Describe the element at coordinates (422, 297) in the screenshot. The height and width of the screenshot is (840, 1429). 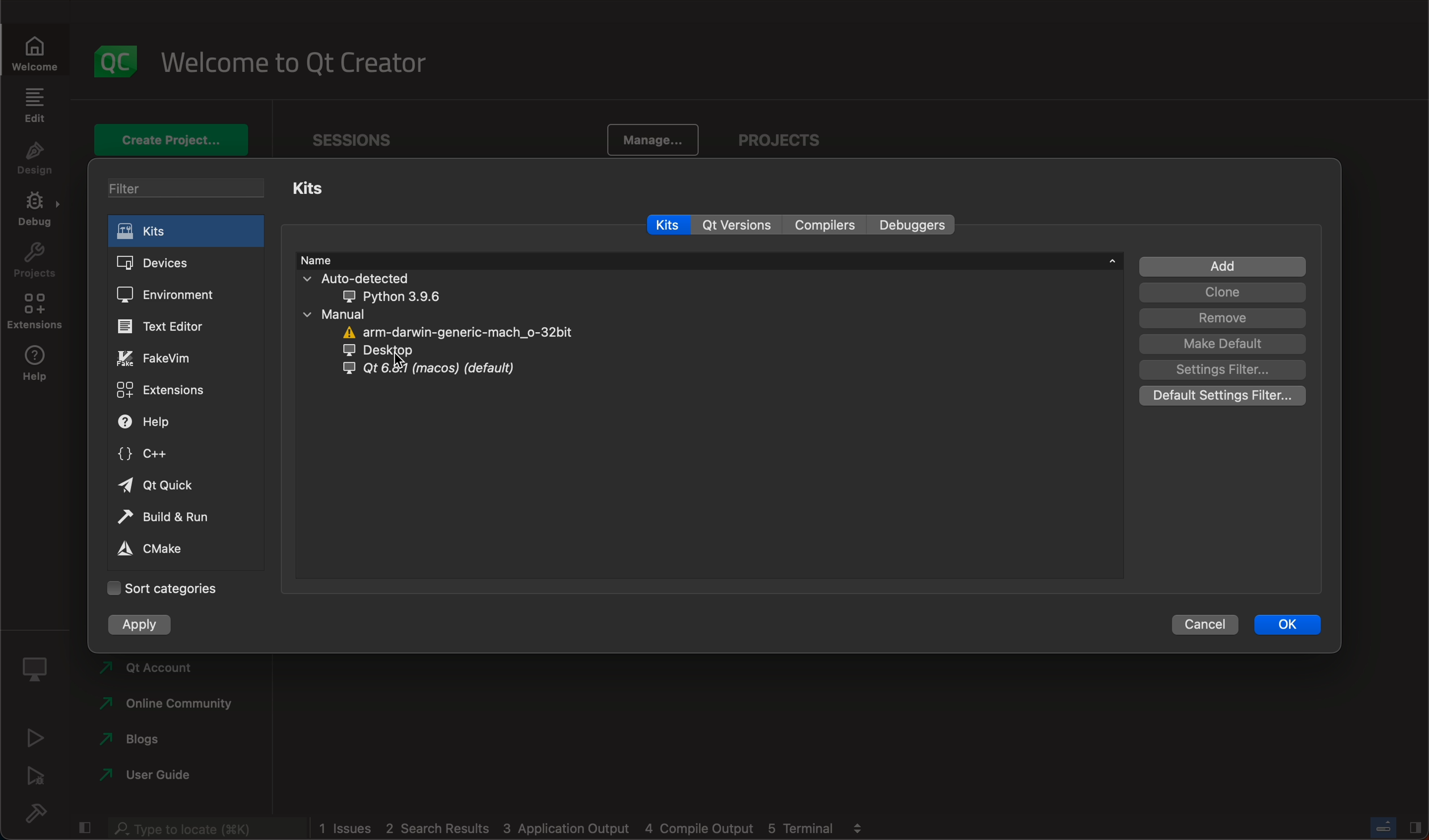
I see `python 3.9.6` at that location.